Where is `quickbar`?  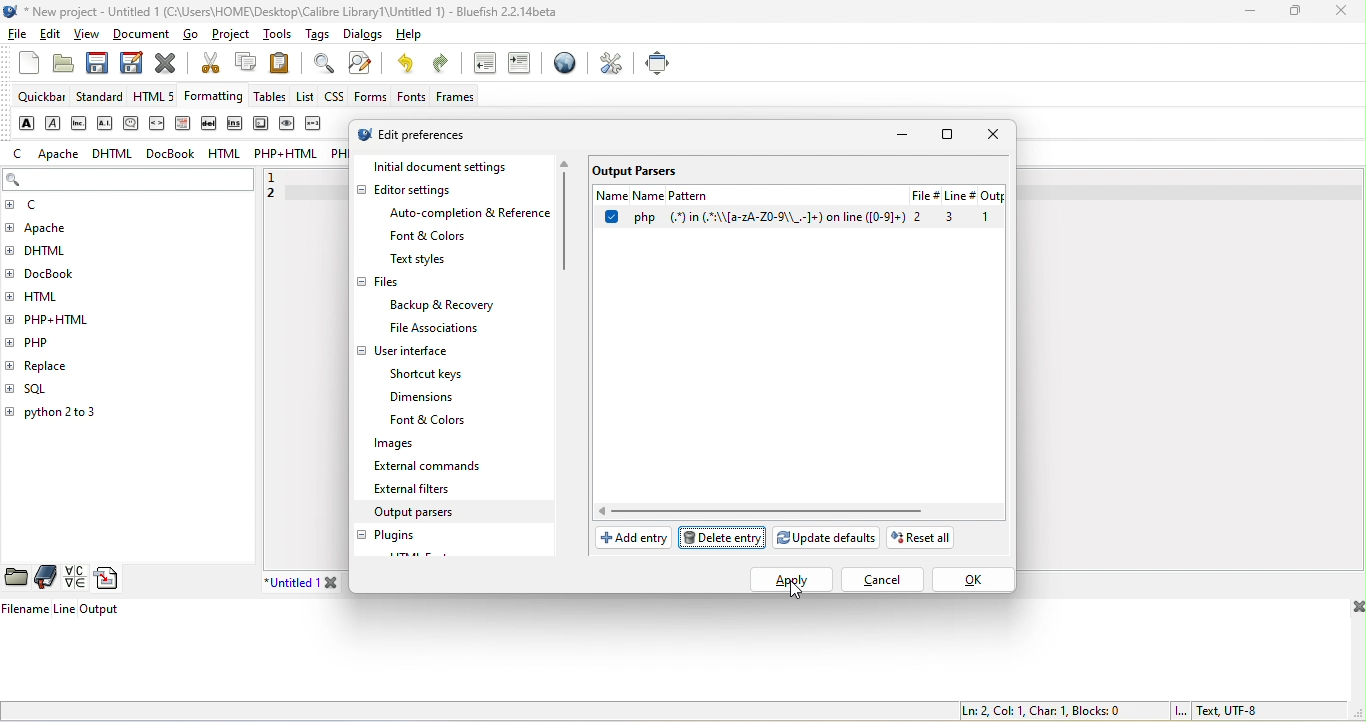
quickbar is located at coordinates (41, 98).